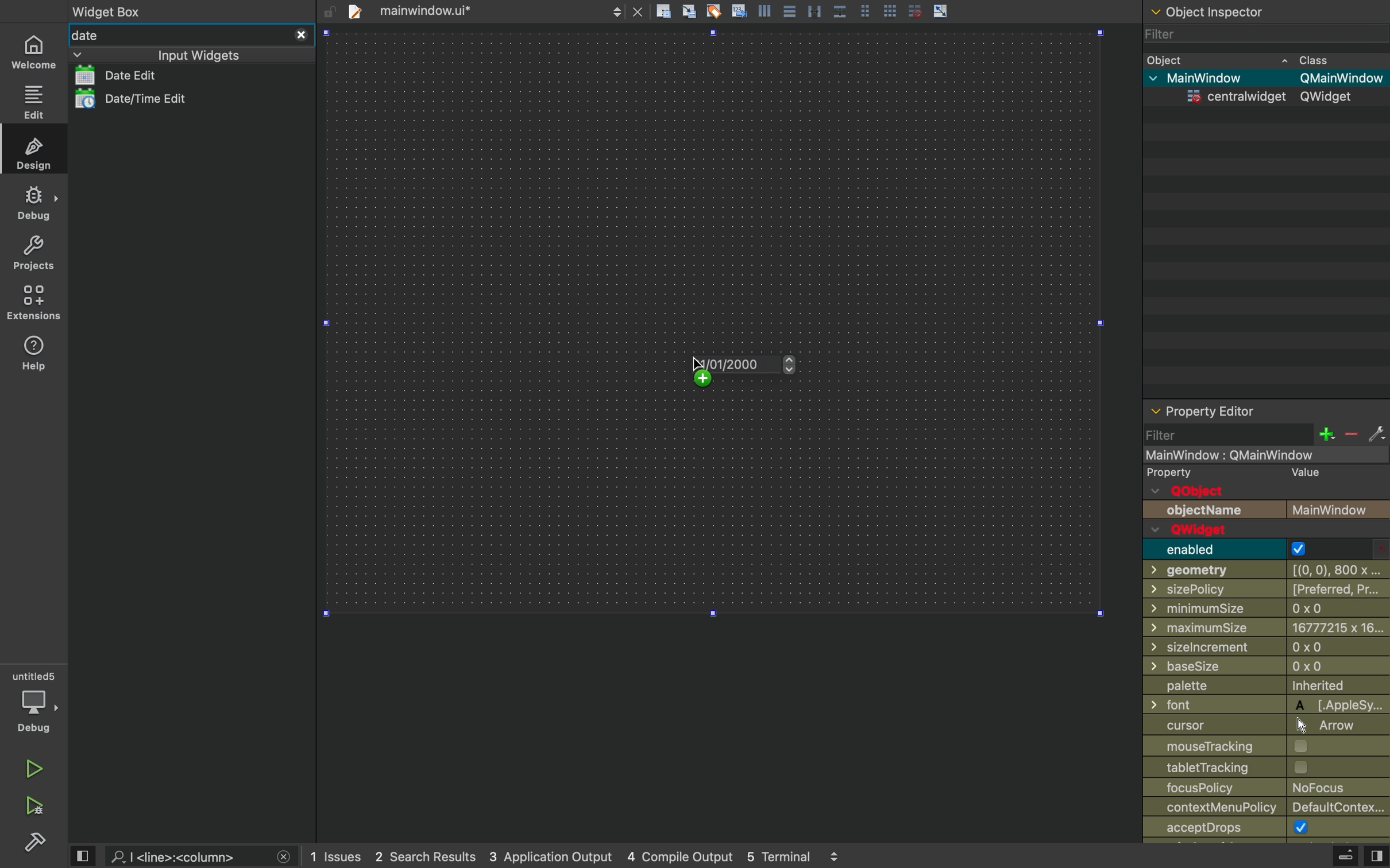 The height and width of the screenshot is (868, 1390). I want to click on home, so click(32, 51).